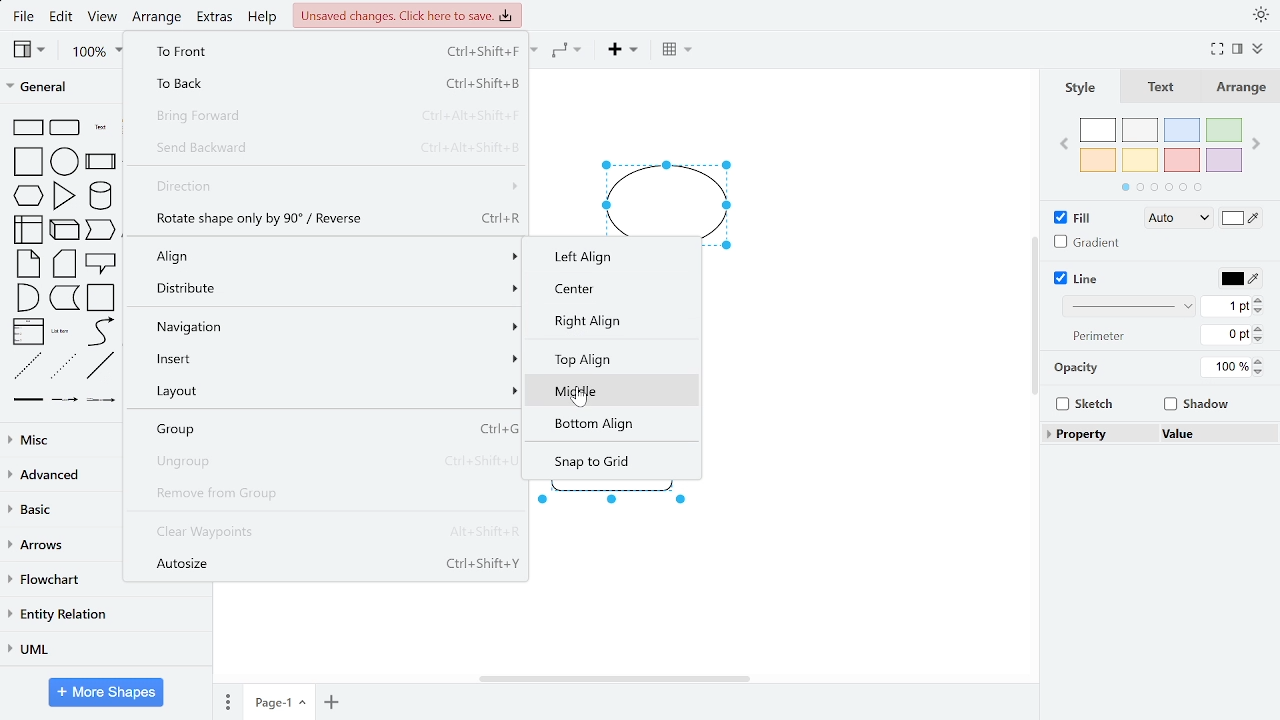 This screenshot has height=720, width=1280. I want to click on fill style, so click(1175, 219).